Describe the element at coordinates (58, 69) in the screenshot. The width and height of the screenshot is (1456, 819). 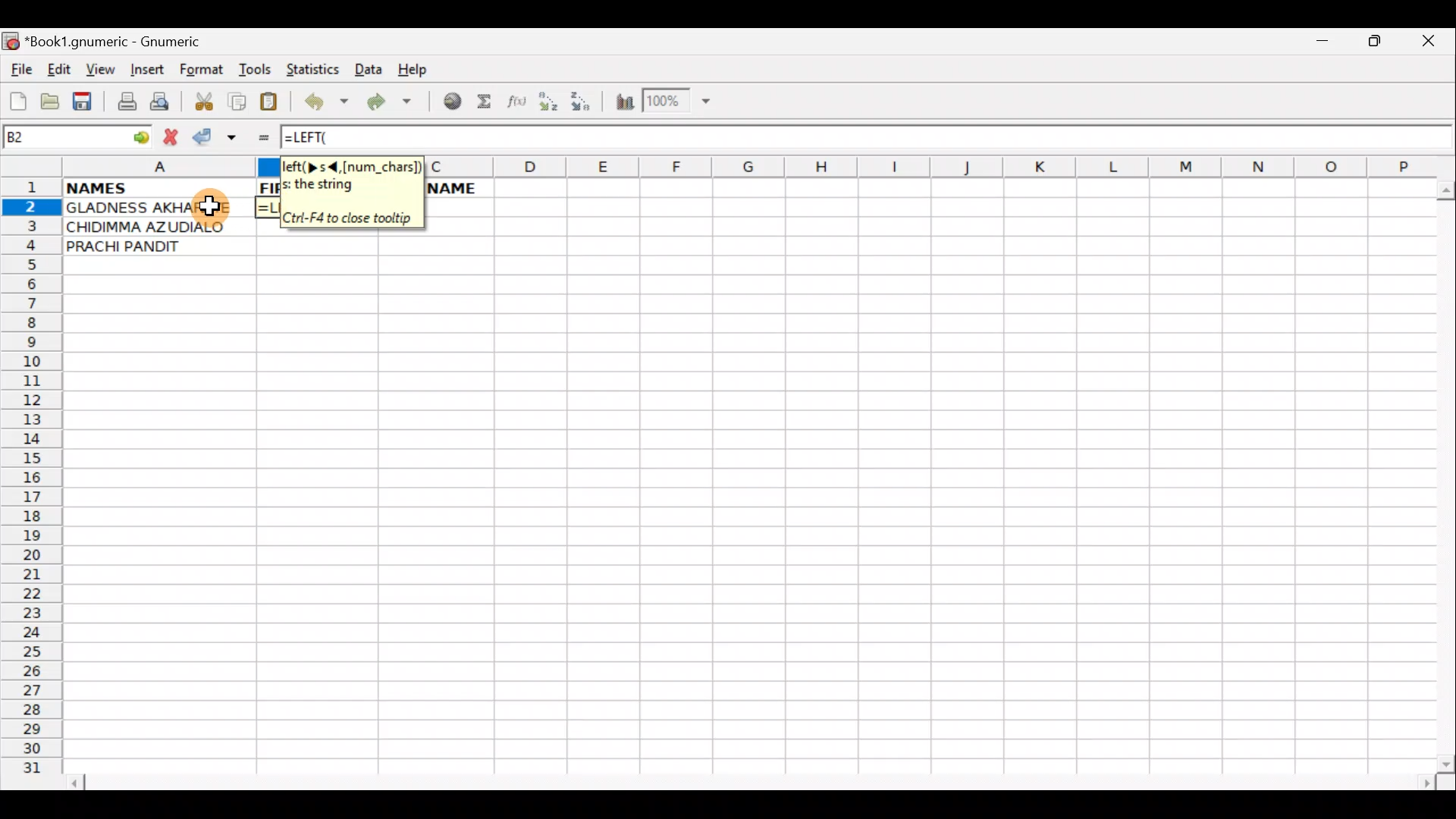
I see `Edit` at that location.